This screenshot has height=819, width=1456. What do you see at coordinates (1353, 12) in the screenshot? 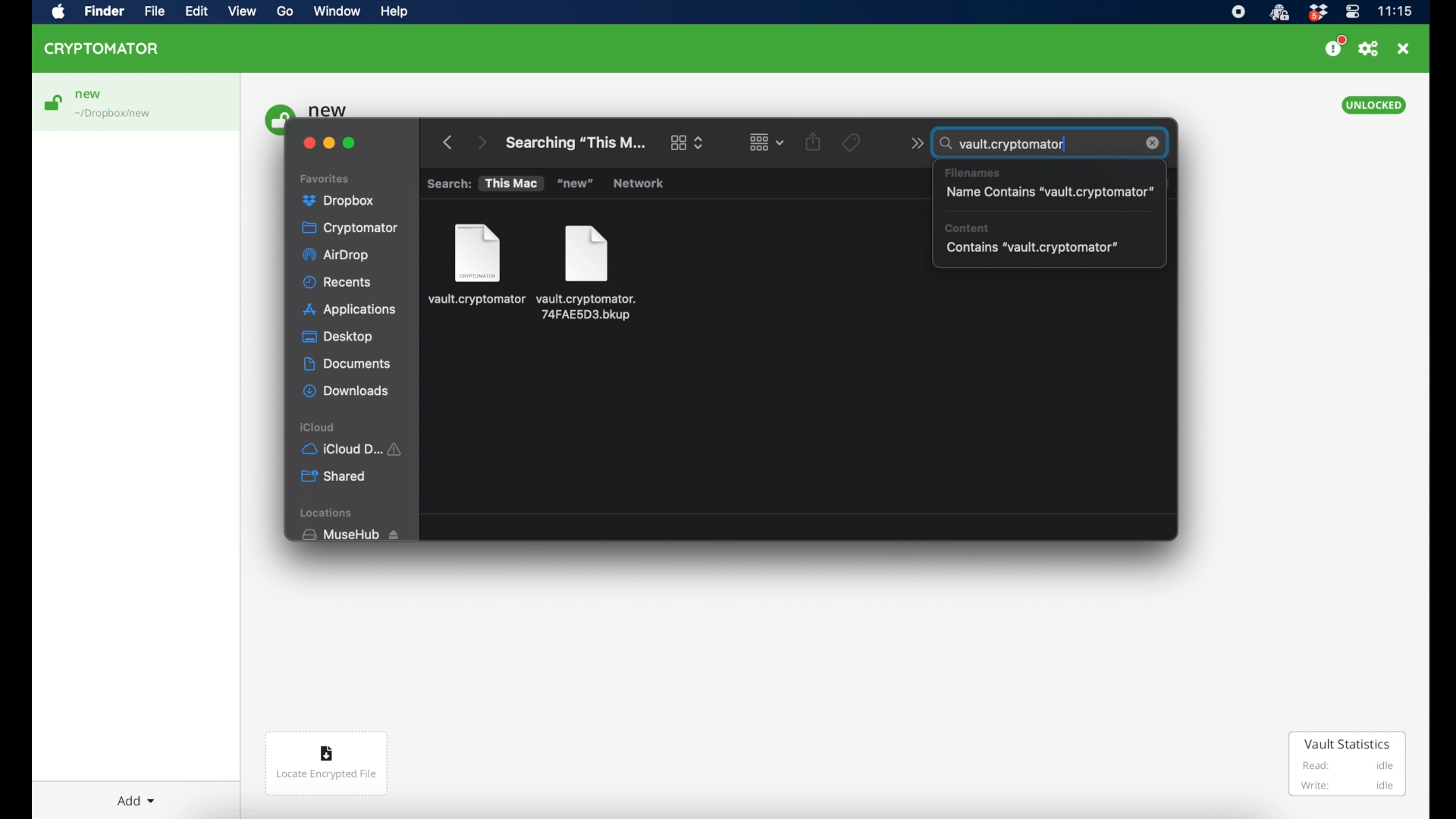
I see `control center` at bounding box center [1353, 12].